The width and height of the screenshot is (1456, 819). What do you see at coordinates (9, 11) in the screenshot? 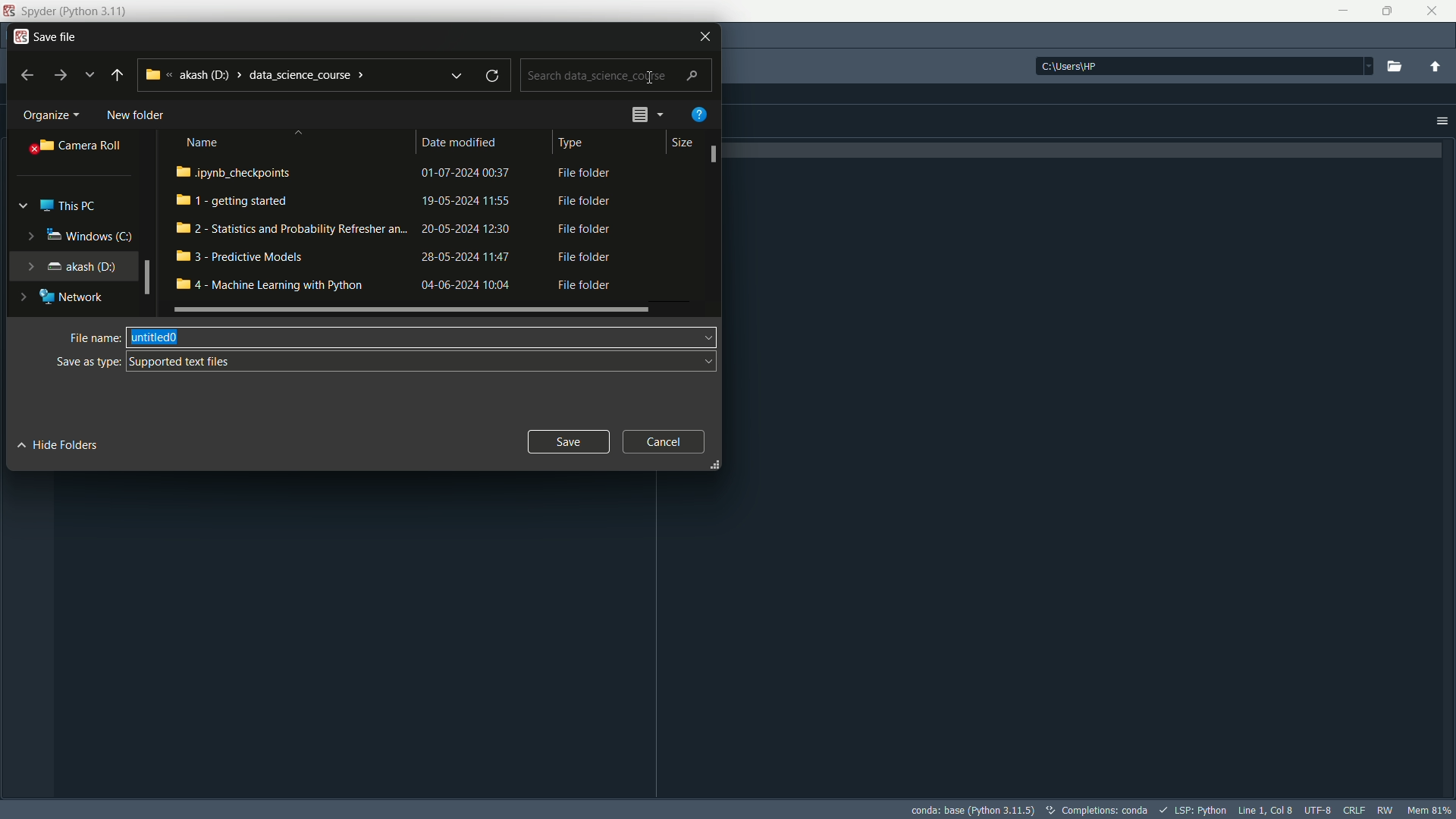
I see `Spyder logo` at bounding box center [9, 11].